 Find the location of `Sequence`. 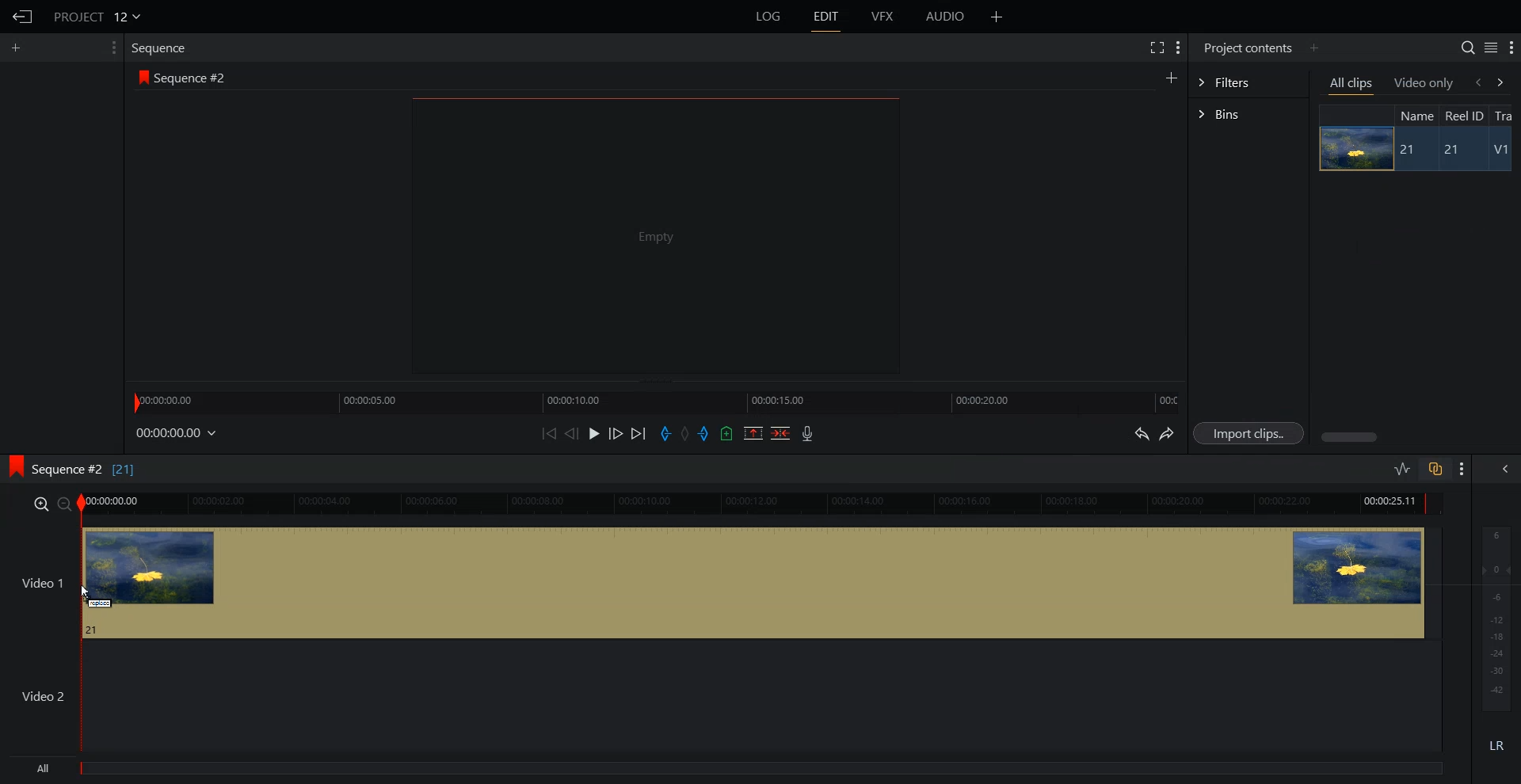

Sequence is located at coordinates (162, 49).